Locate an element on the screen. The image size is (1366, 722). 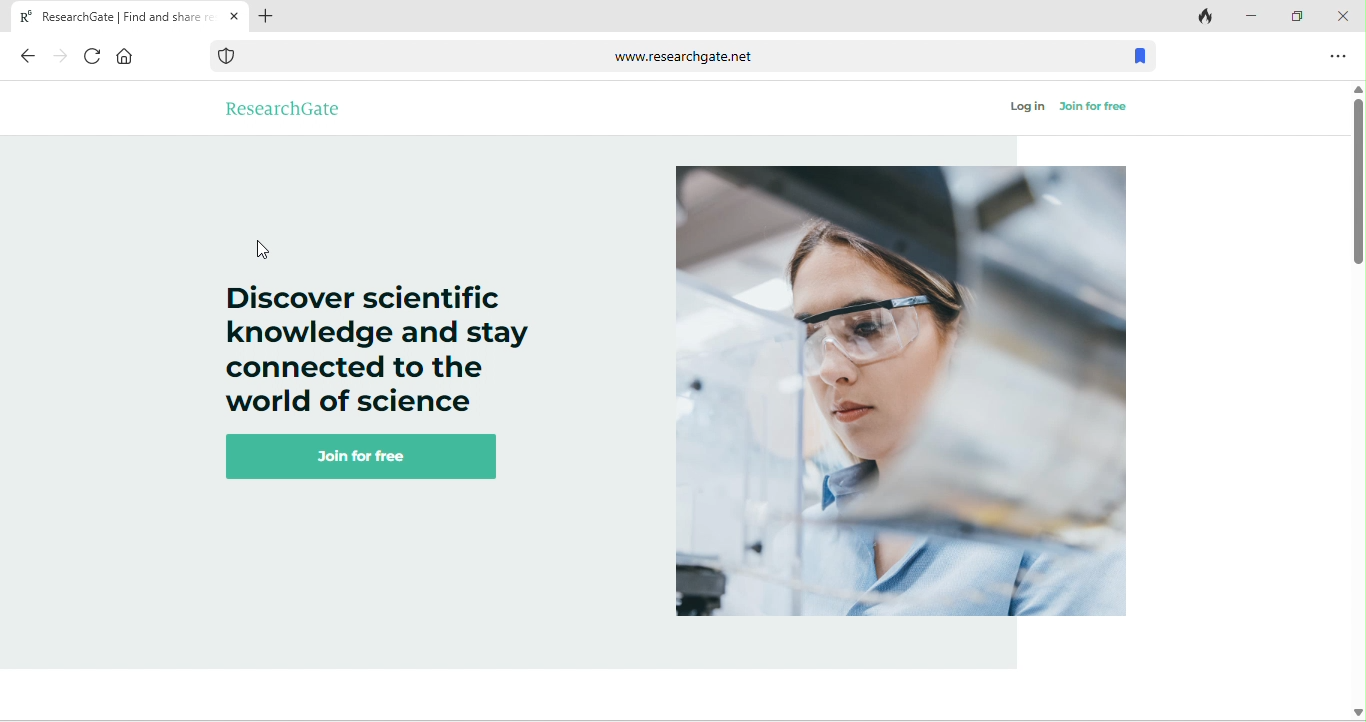
log in is located at coordinates (1025, 108).